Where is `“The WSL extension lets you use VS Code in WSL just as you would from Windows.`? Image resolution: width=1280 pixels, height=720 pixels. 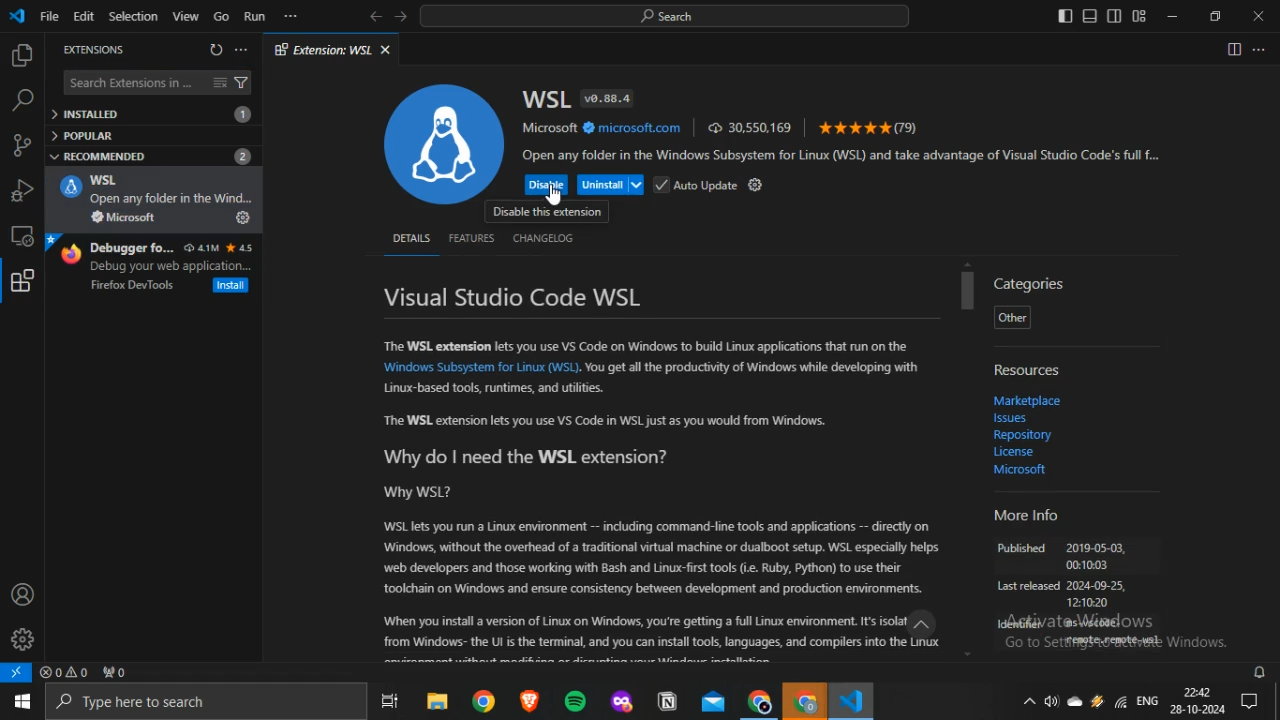 “The WSL extension lets you use VS Code in WSL just as you would from Windows. is located at coordinates (606, 423).